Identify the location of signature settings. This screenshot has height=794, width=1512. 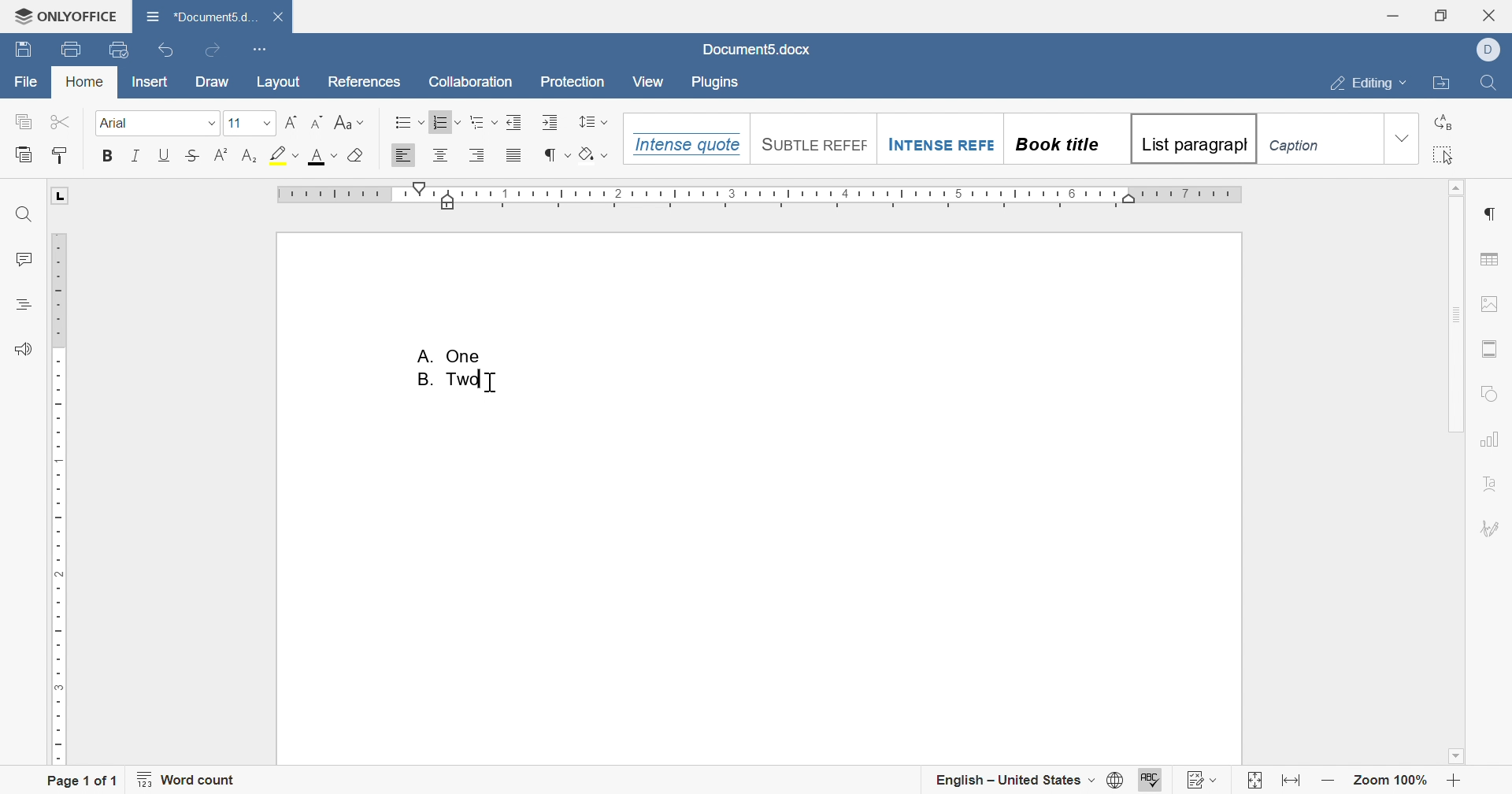
(1492, 528).